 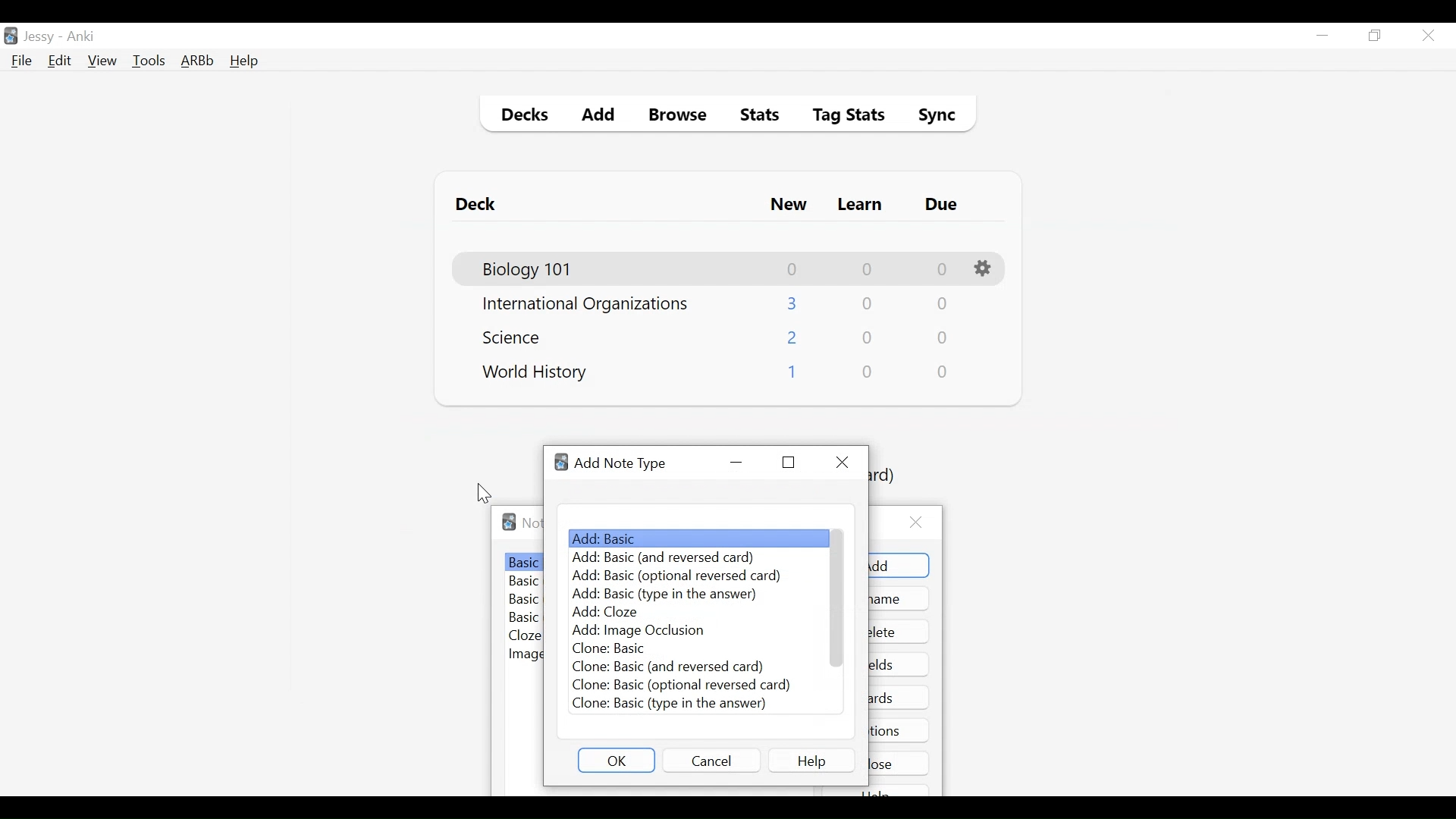 What do you see at coordinates (638, 631) in the screenshot?
I see `Add: Image Occlusion` at bounding box center [638, 631].